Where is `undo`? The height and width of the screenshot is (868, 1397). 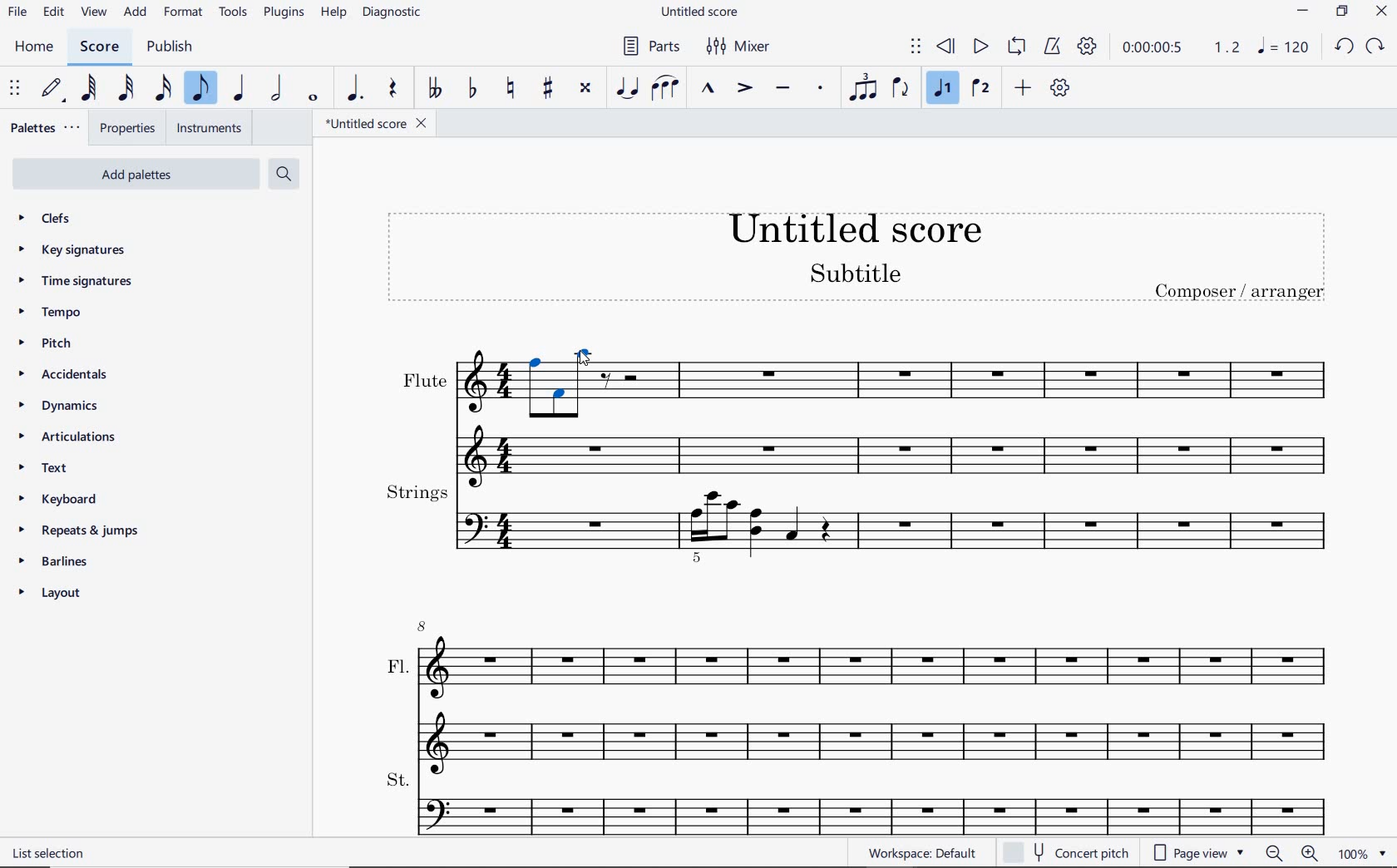
undo is located at coordinates (1345, 47).